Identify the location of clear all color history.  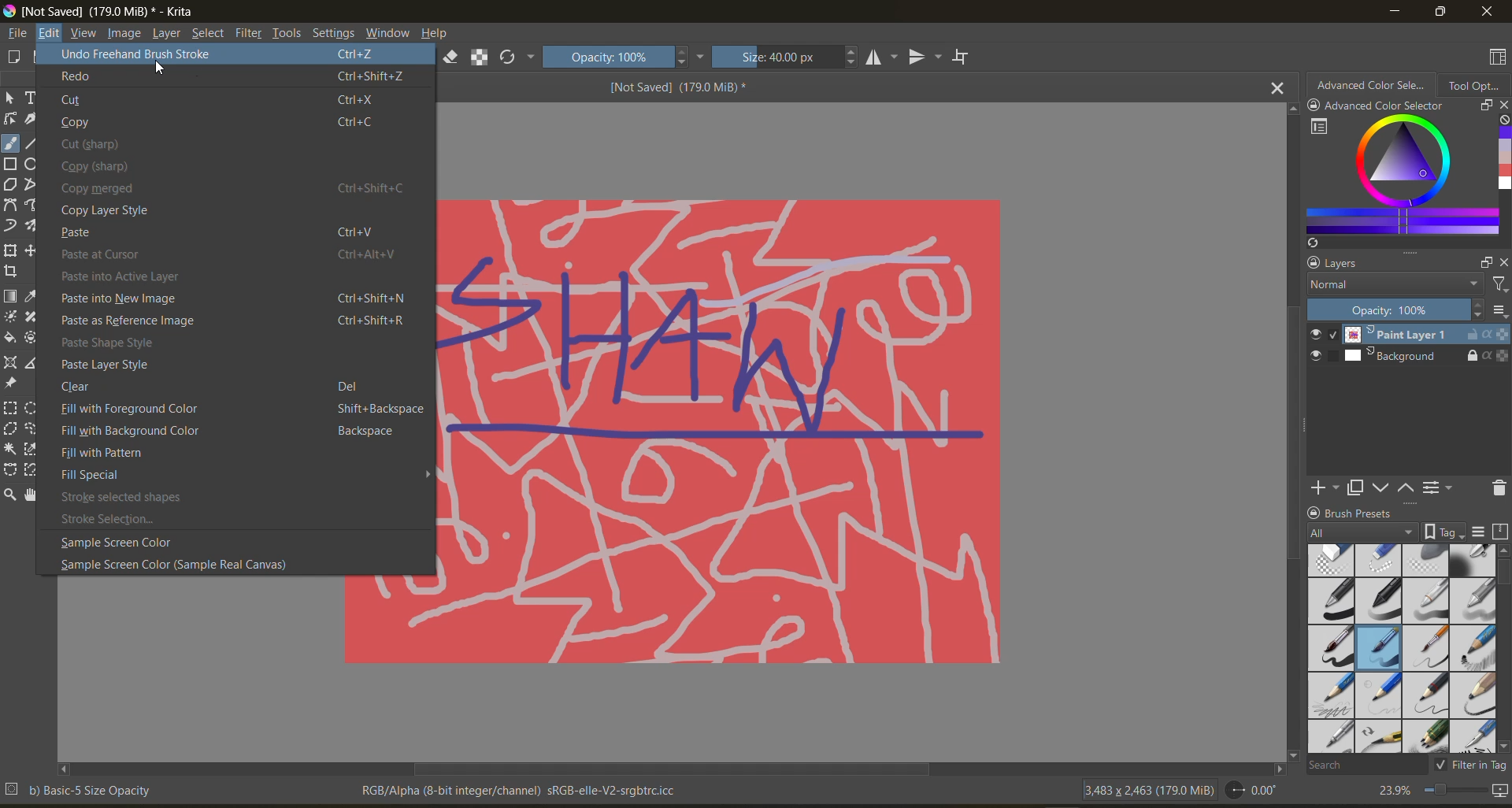
(1503, 122).